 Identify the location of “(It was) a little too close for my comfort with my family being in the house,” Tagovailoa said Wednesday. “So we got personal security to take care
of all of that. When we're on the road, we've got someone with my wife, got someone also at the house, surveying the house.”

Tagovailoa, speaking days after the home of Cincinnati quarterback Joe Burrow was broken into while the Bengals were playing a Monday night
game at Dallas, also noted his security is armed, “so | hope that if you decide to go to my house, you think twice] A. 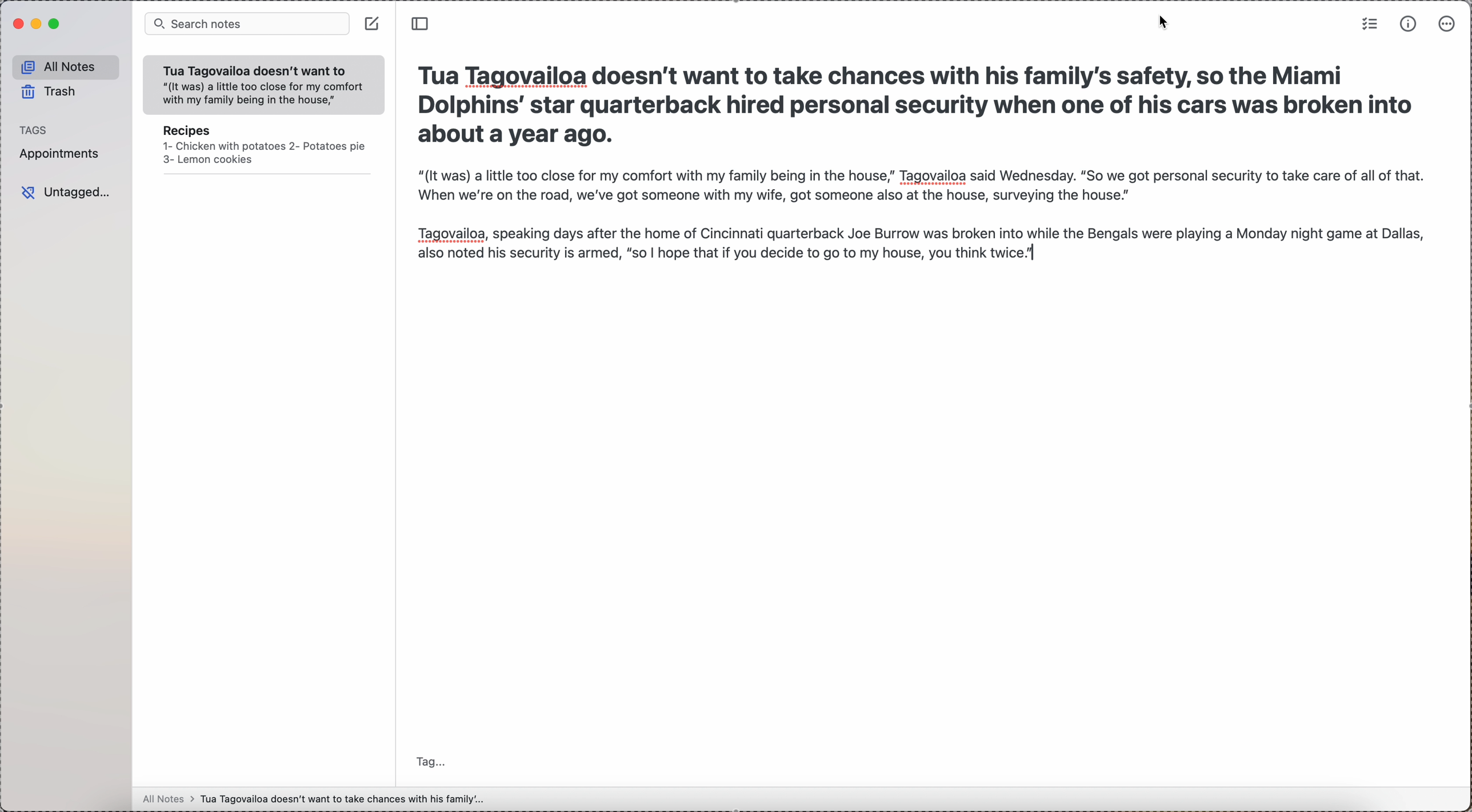
(925, 226).